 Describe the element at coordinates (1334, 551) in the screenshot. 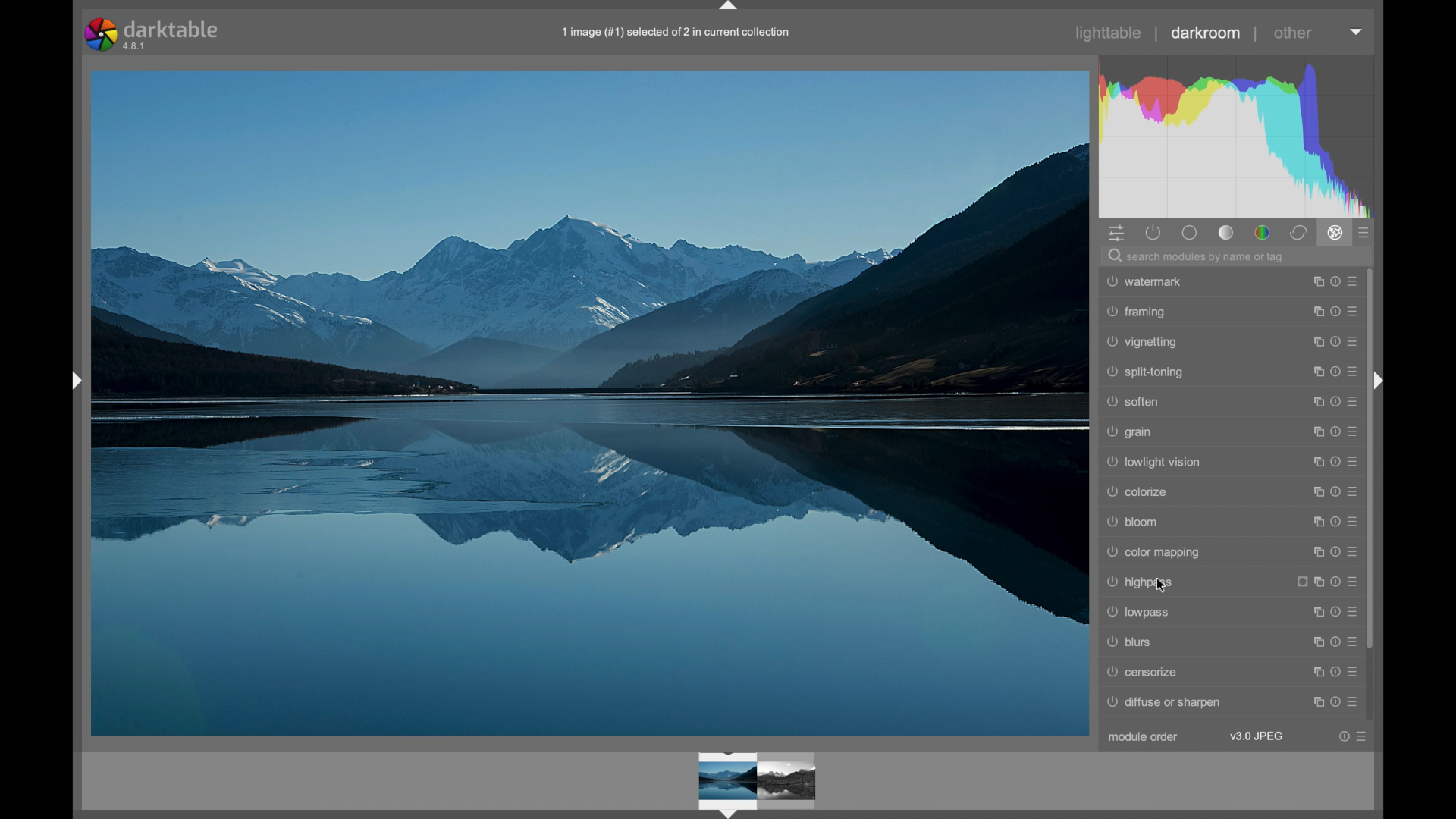

I see `more options` at that location.